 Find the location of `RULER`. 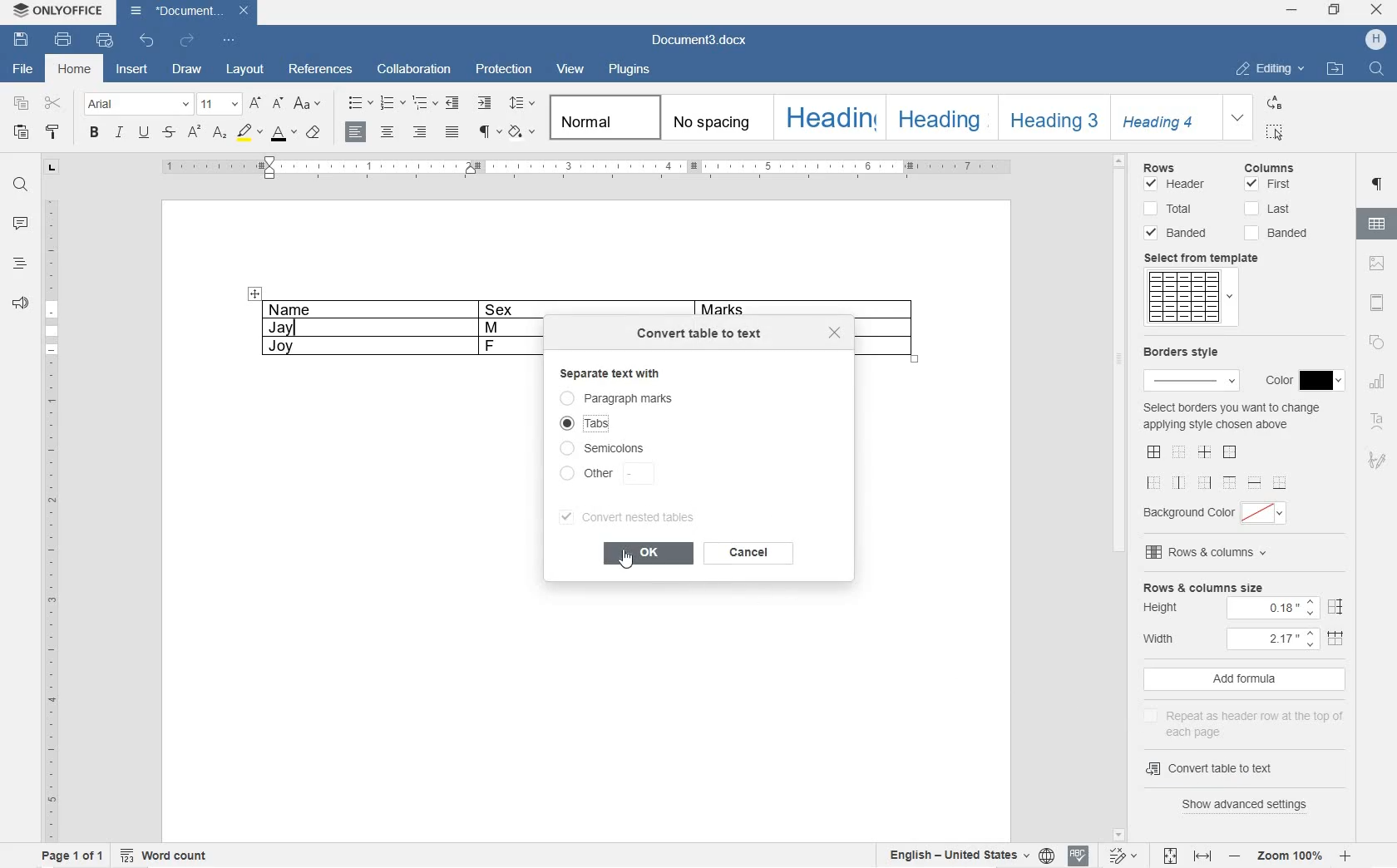

RULER is located at coordinates (49, 517).